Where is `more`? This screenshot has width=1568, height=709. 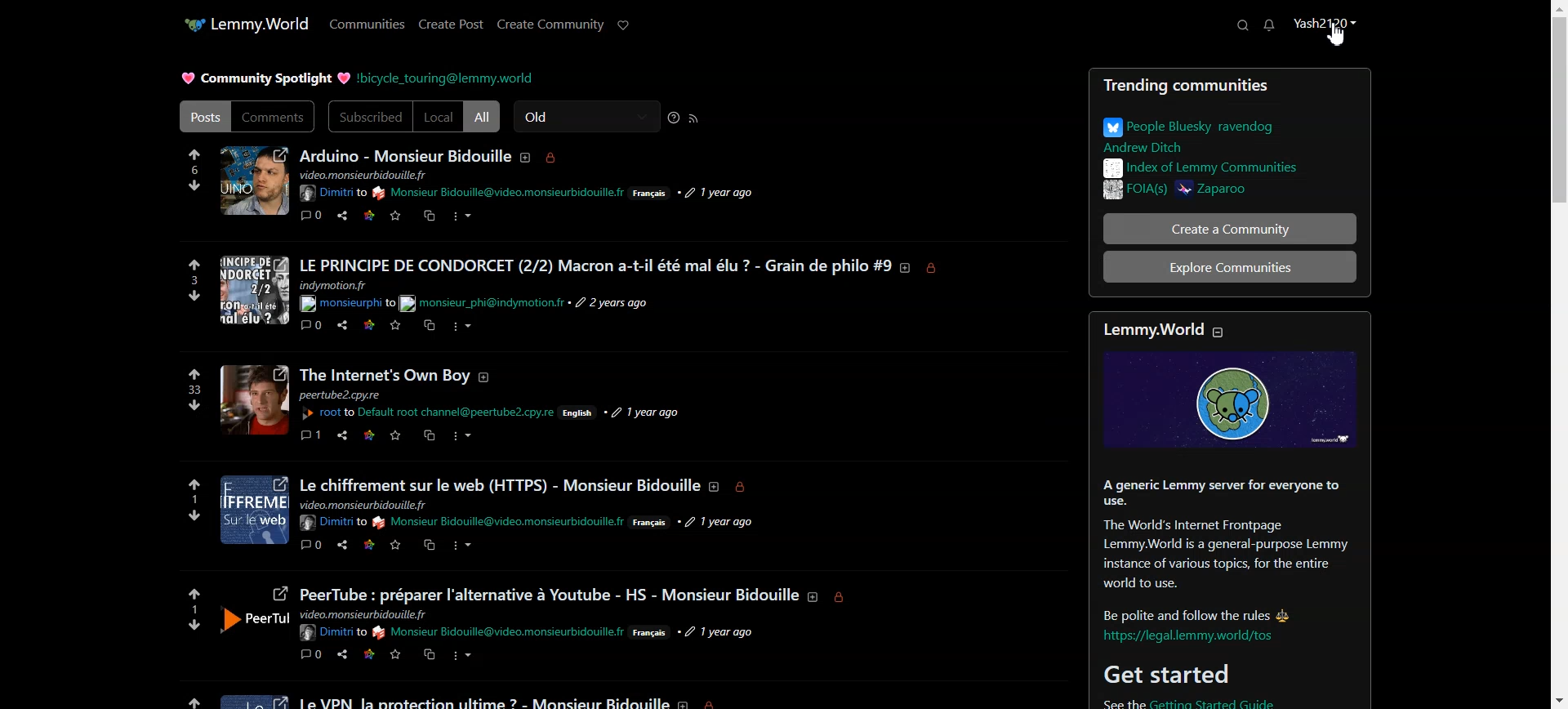
more is located at coordinates (462, 658).